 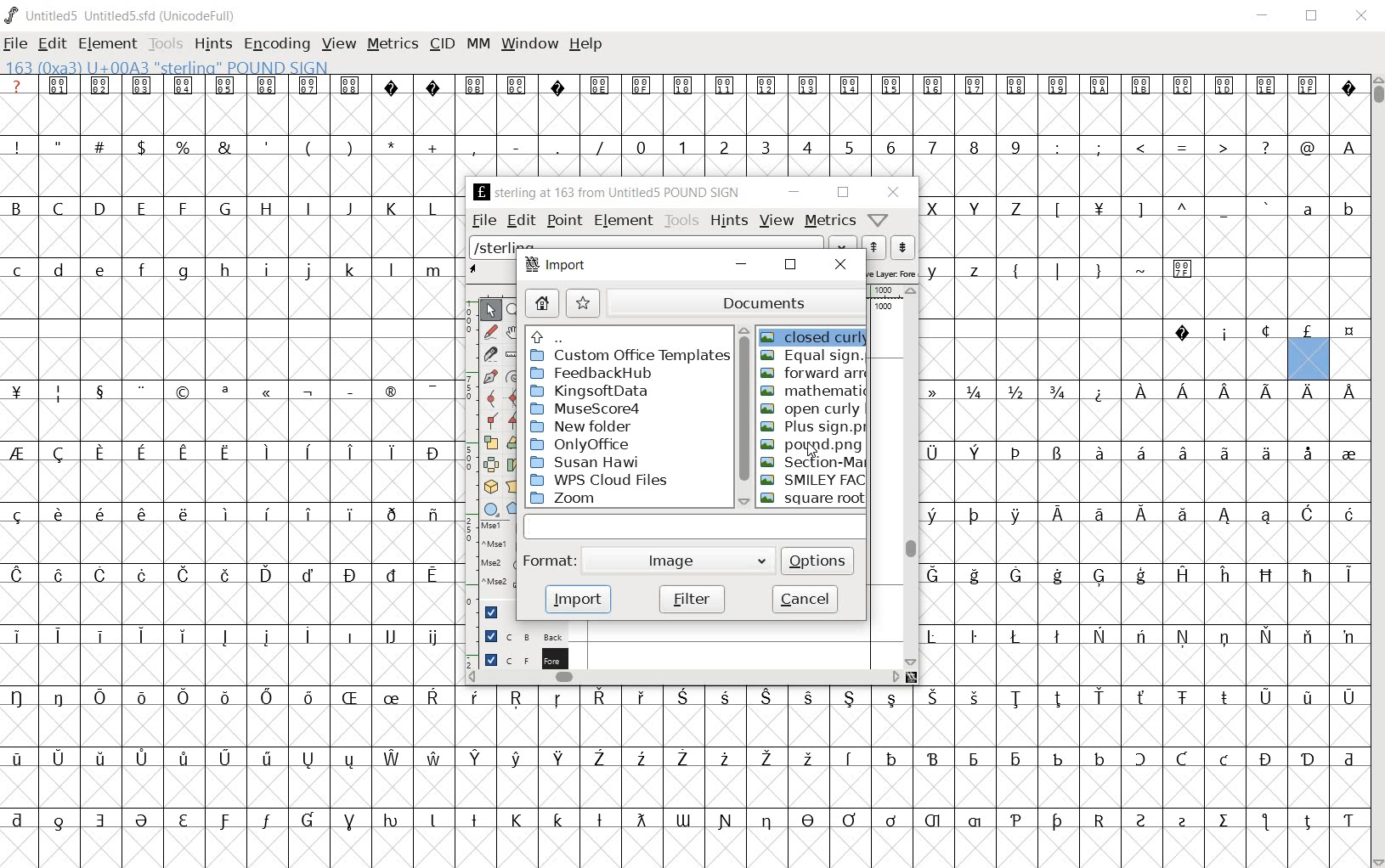 I want to click on Symbol, so click(x=1055, y=822).